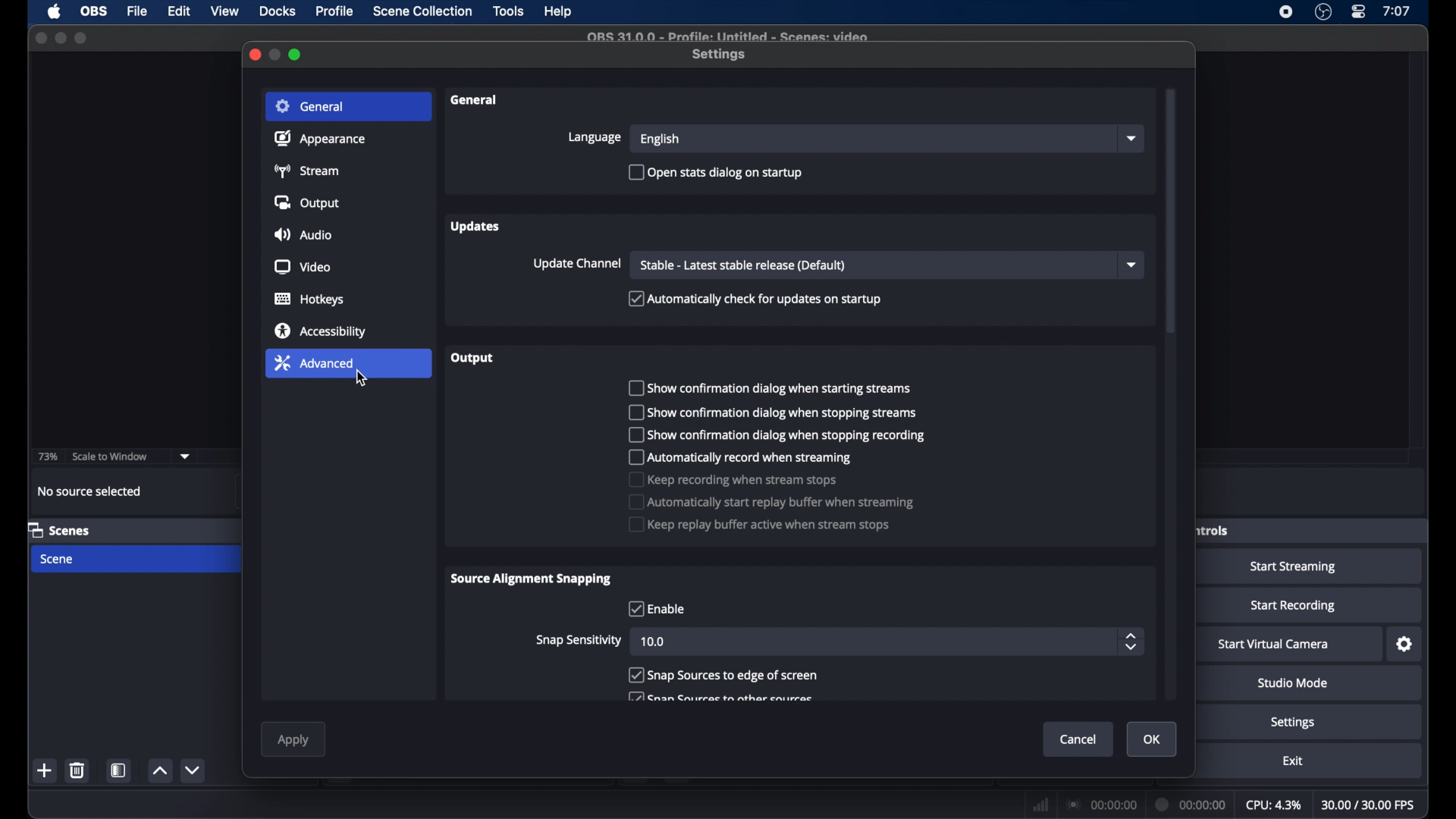 This screenshot has width=1456, height=819. Describe the element at coordinates (1274, 805) in the screenshot. I see `cpu` at that location.